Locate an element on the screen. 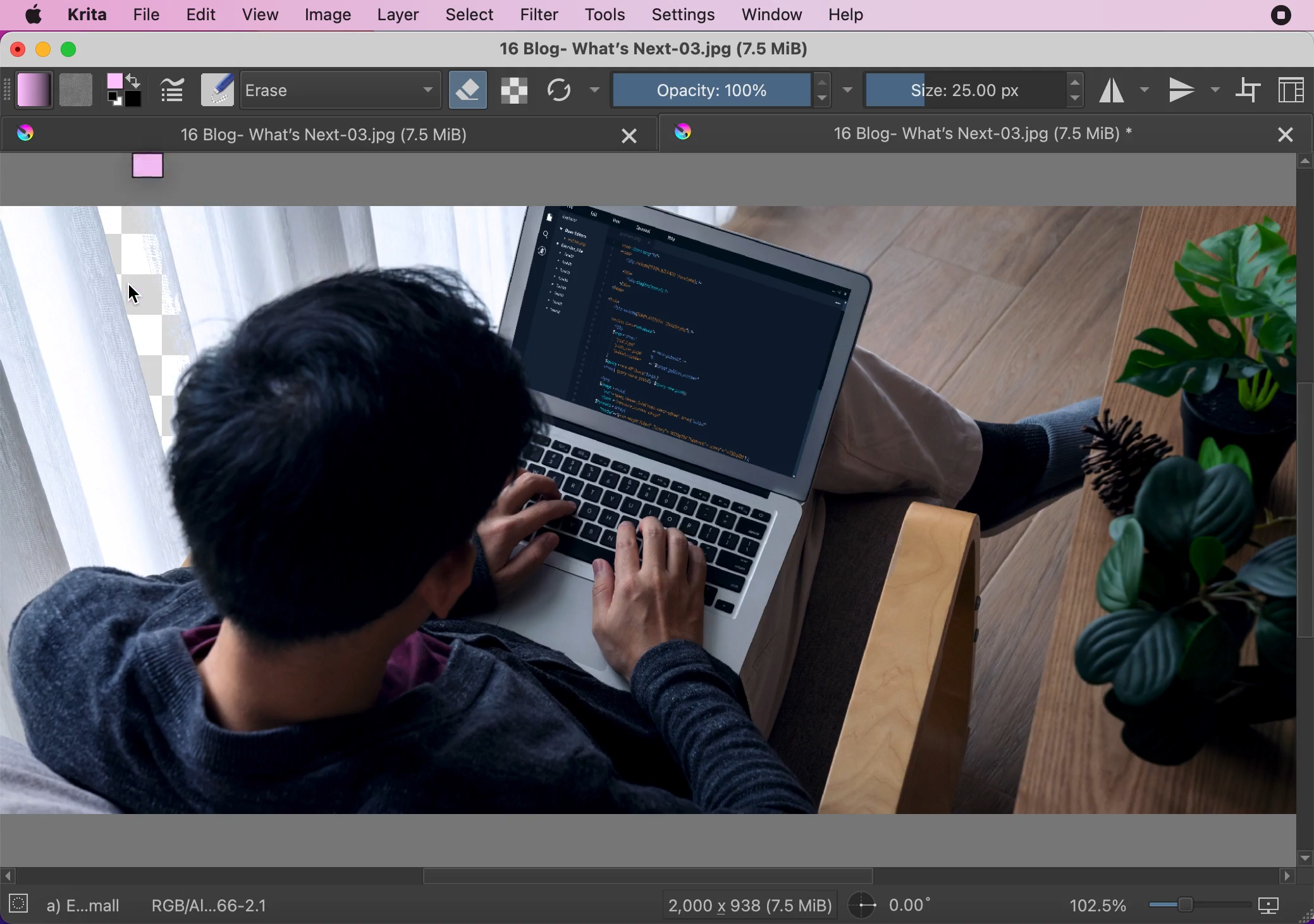 Image resolution: width=1314 pixels, height=924 pixels. 102.5 is located at coordinates (1098, 907).